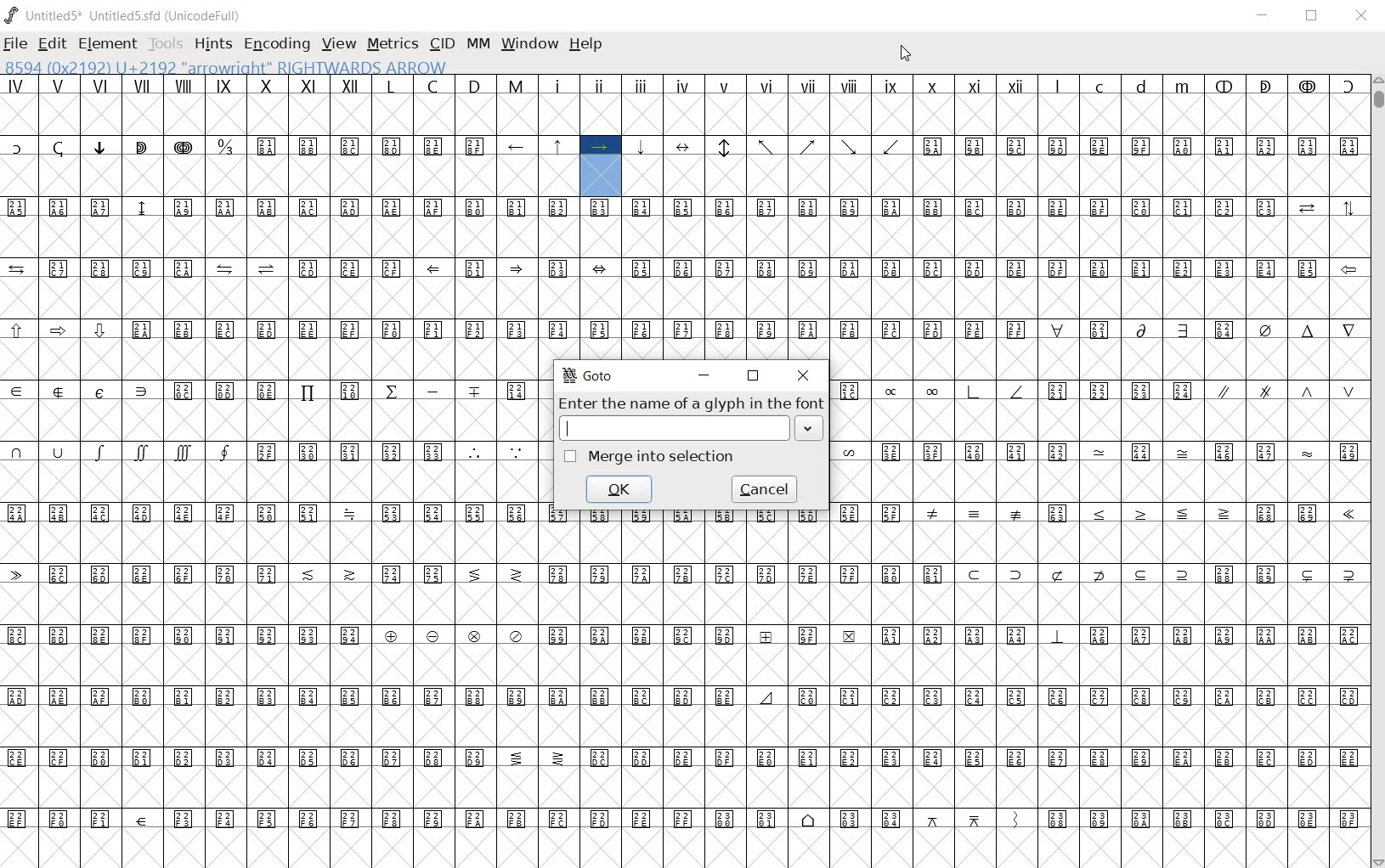 The height and width of the screenshot is (868, 1385). What do you see at coordinates (390, 45) in the screenshot?
I see `METRICS` at bounding box center [390, 45].